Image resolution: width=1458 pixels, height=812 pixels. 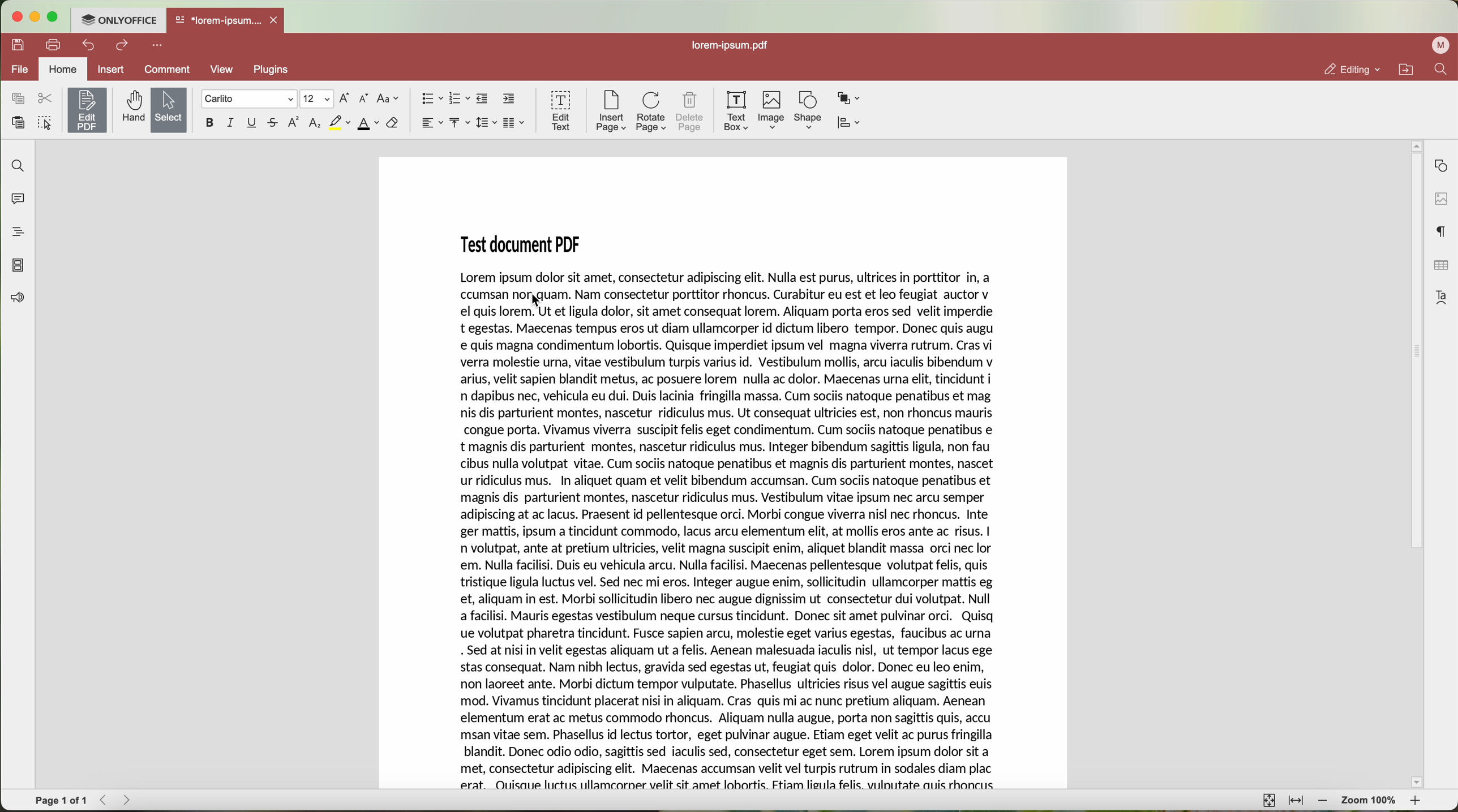 I want to click on close program, so click(x=16, y=15).